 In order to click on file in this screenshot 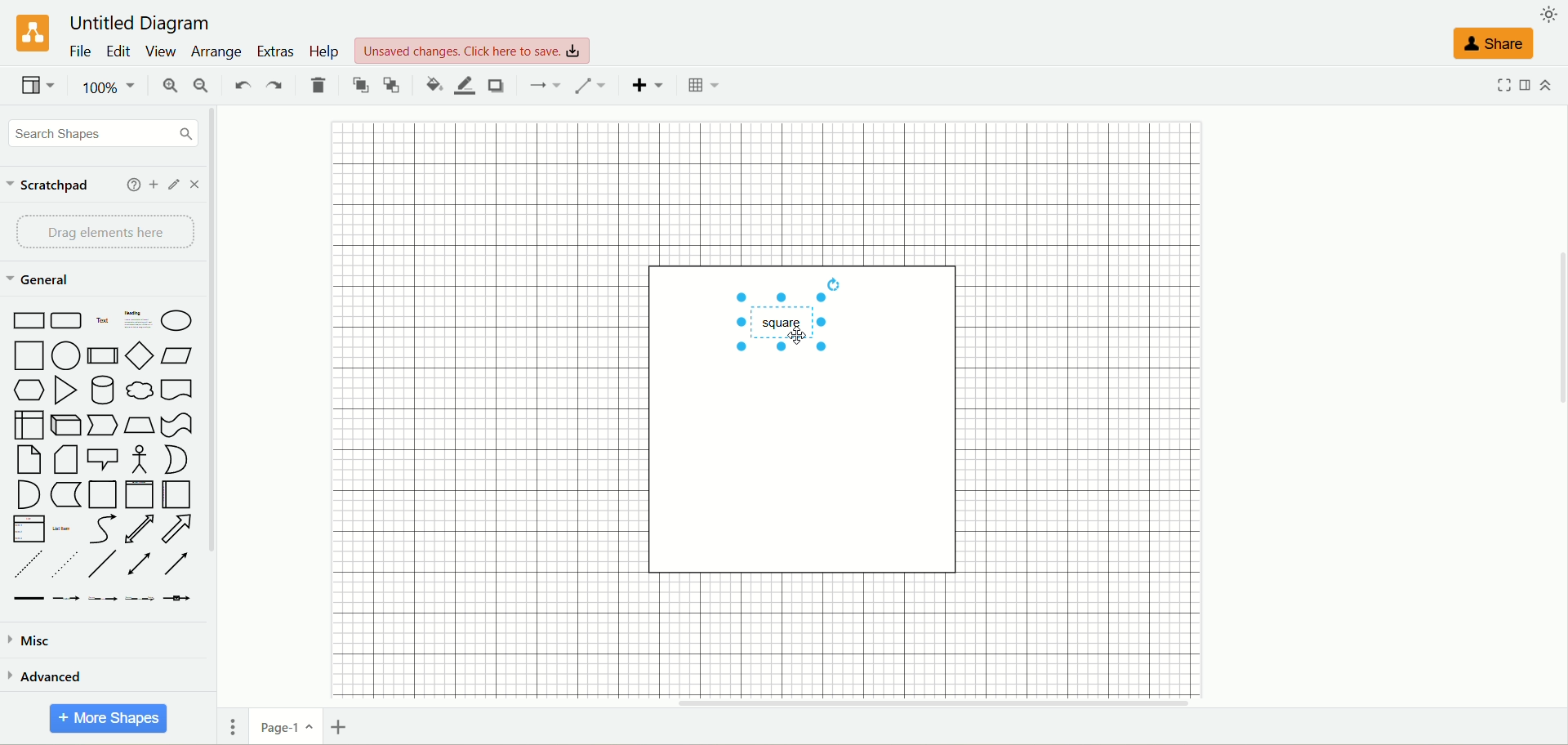, I will do `click(82, 52)`.